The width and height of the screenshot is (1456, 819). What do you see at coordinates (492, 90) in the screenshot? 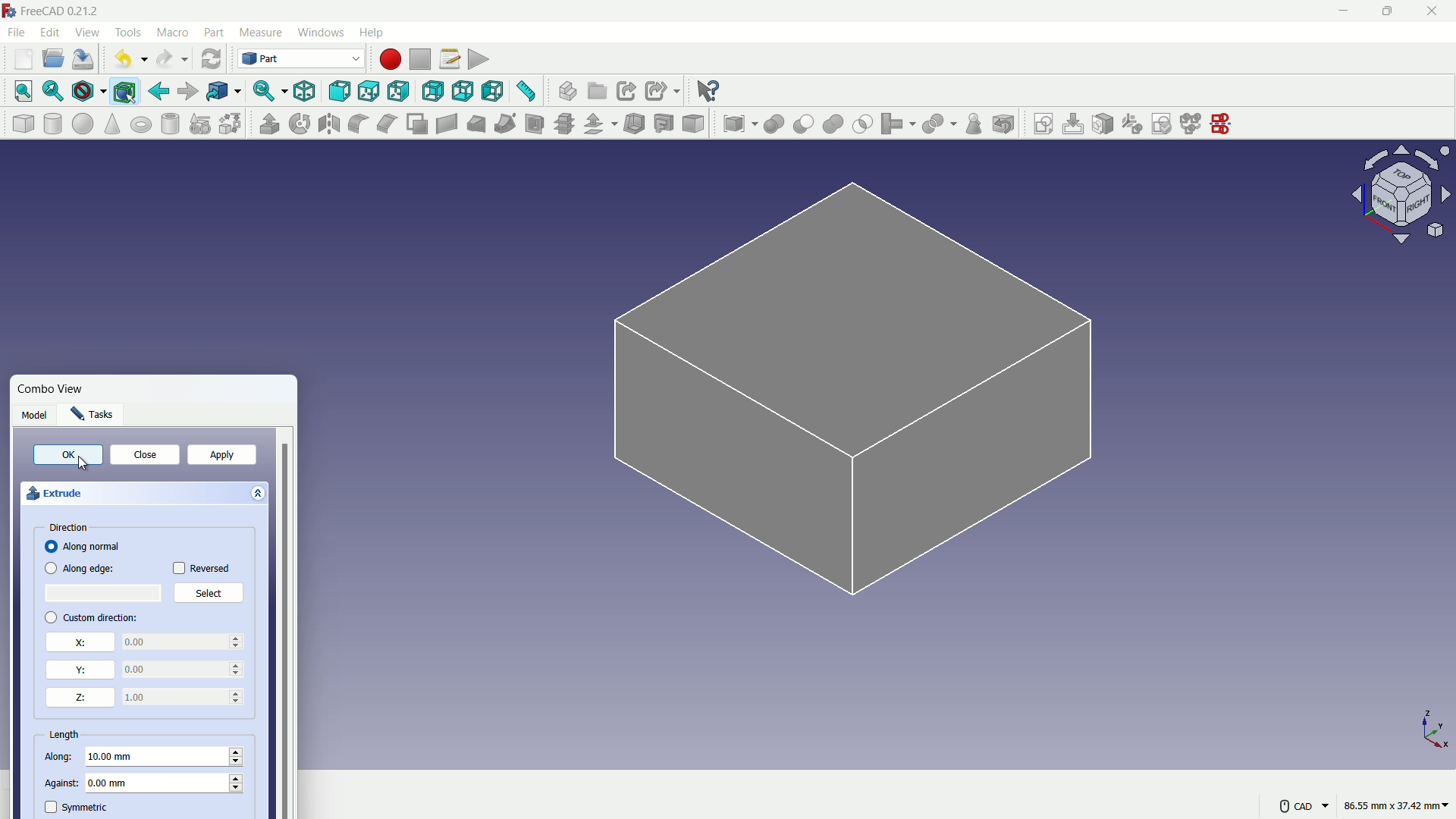
I see `left view` at bounding box center [492, 90].